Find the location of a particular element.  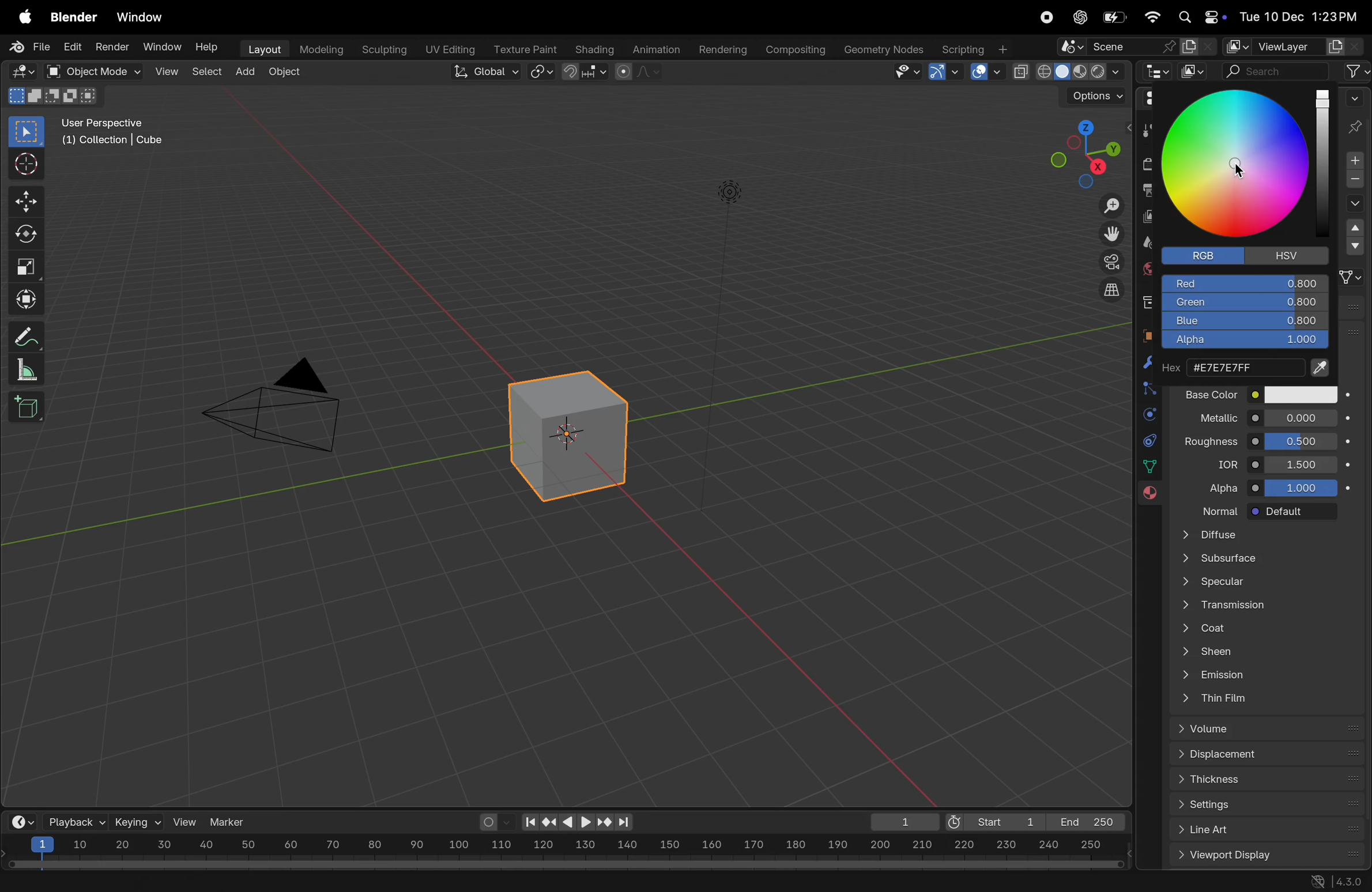

red is located at coordinates (1246, 282).